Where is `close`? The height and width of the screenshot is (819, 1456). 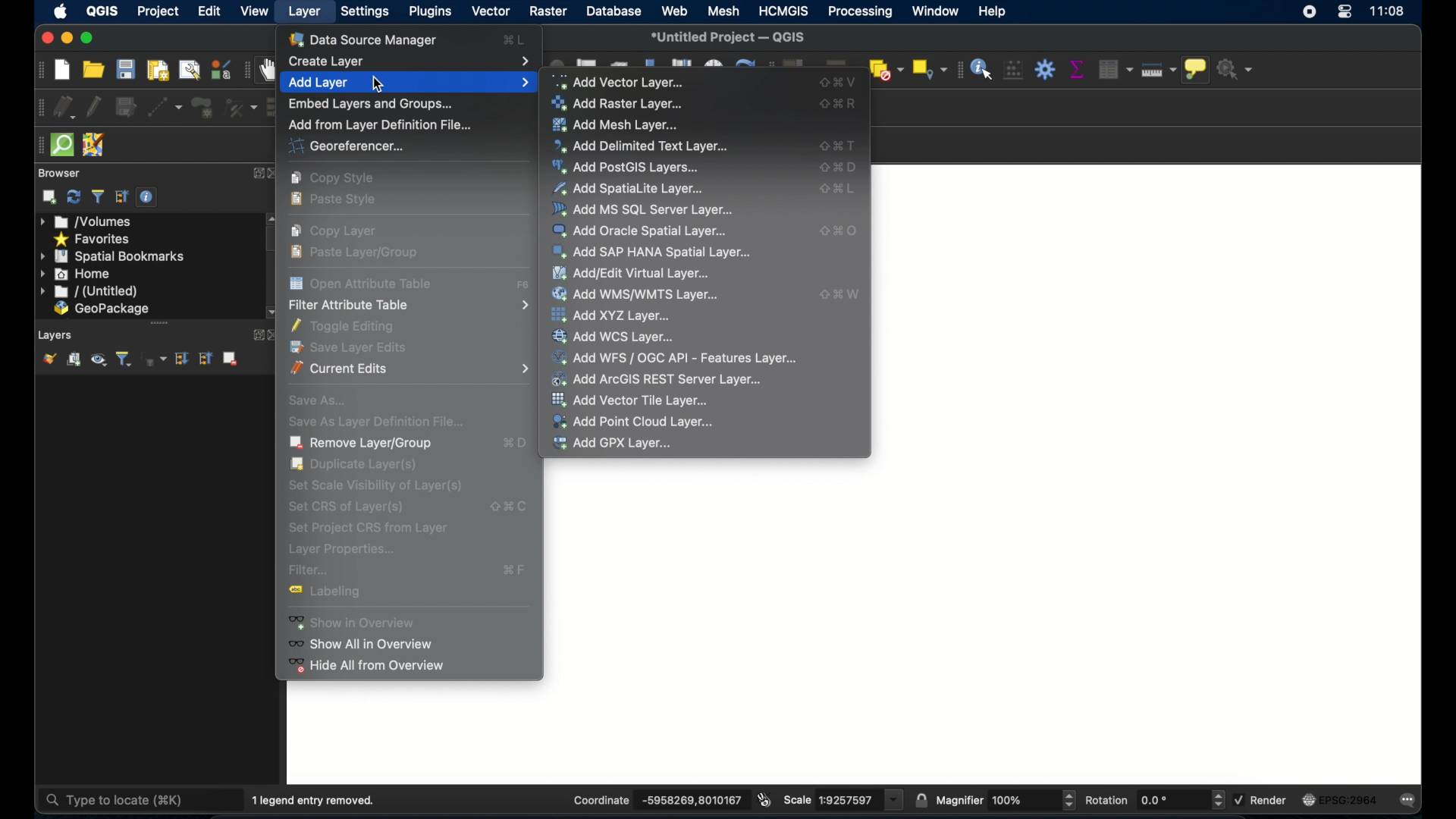 close is located at coordinates (44, 39).